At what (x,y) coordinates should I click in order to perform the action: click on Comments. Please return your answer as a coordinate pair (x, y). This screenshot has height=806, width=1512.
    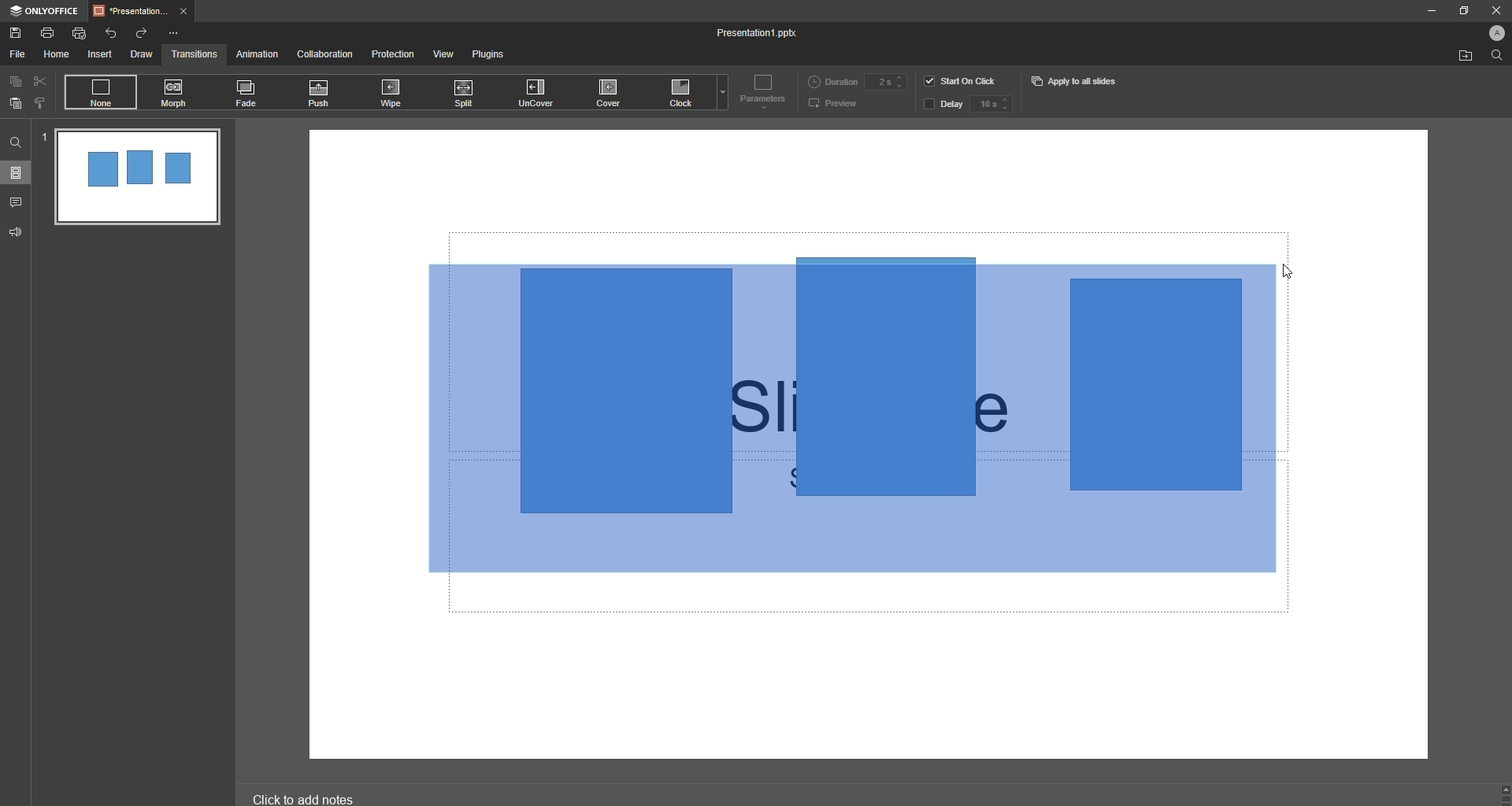
    Looking at the image, I should click on (19, 201).